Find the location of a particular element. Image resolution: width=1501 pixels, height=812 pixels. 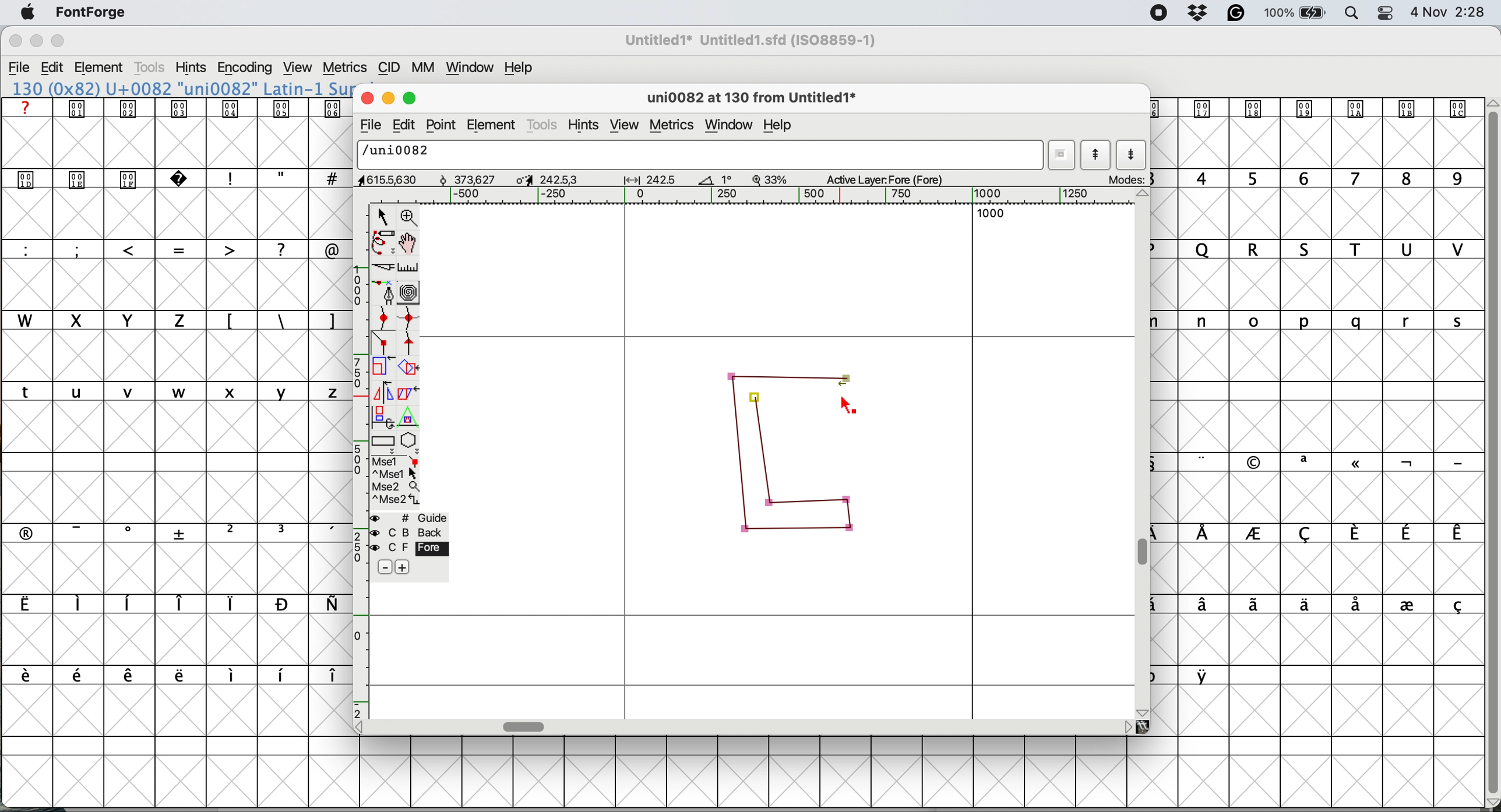

horizontal scale is located at coordinates (769, 196).